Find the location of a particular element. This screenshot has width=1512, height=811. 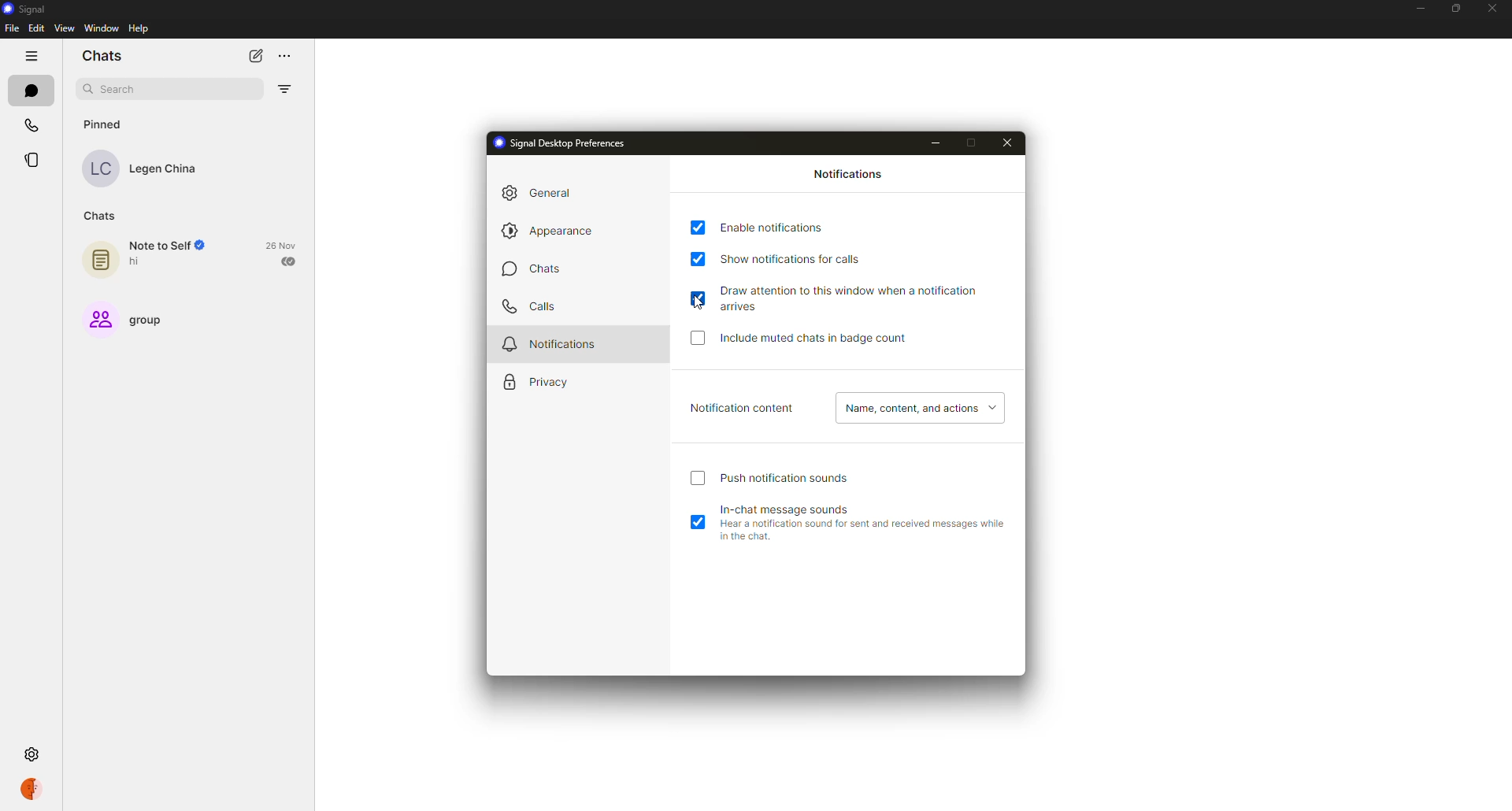

view is located at coordinates (65, 28).